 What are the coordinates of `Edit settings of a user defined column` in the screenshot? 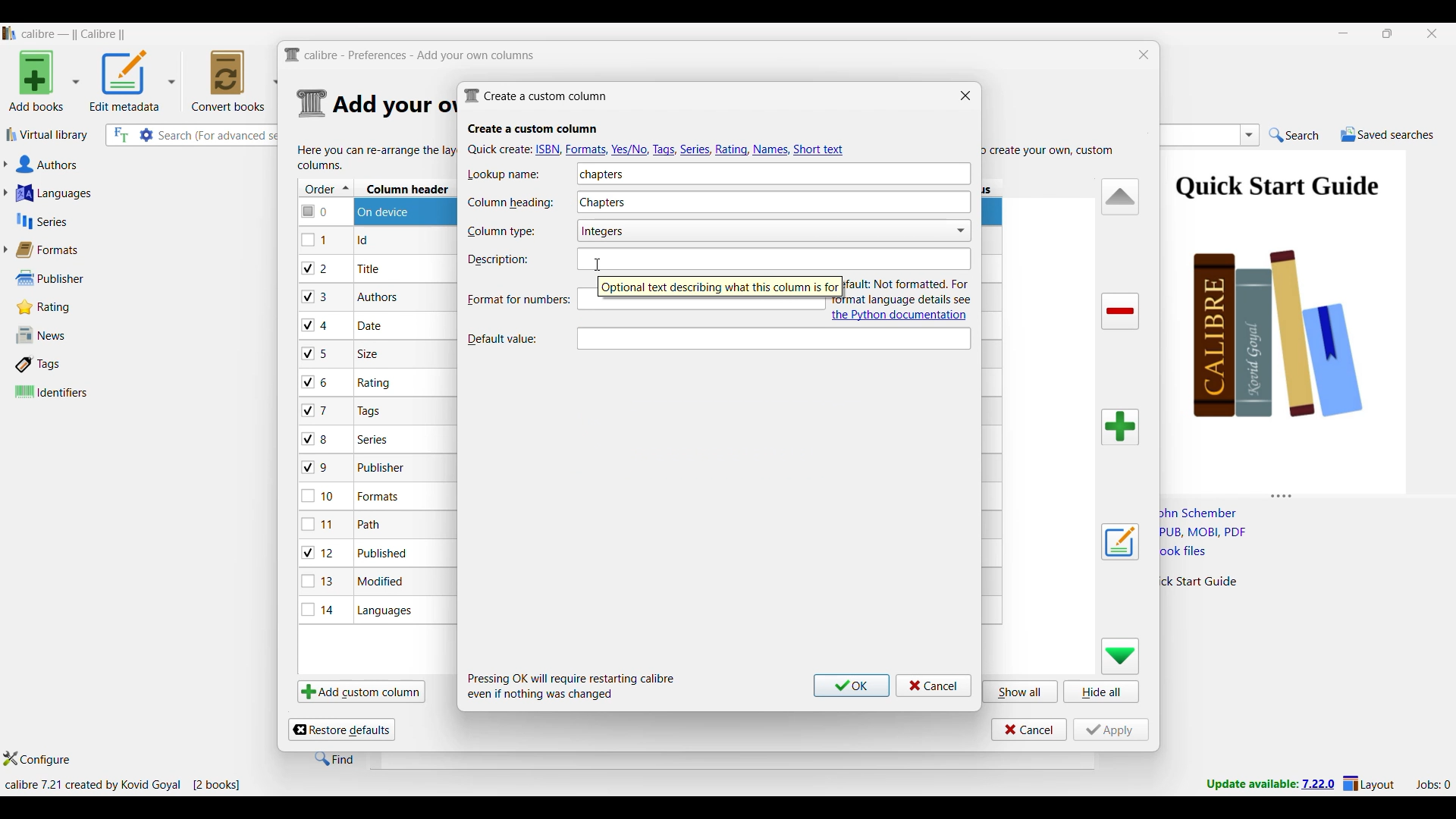 It's located at (1120, 542).